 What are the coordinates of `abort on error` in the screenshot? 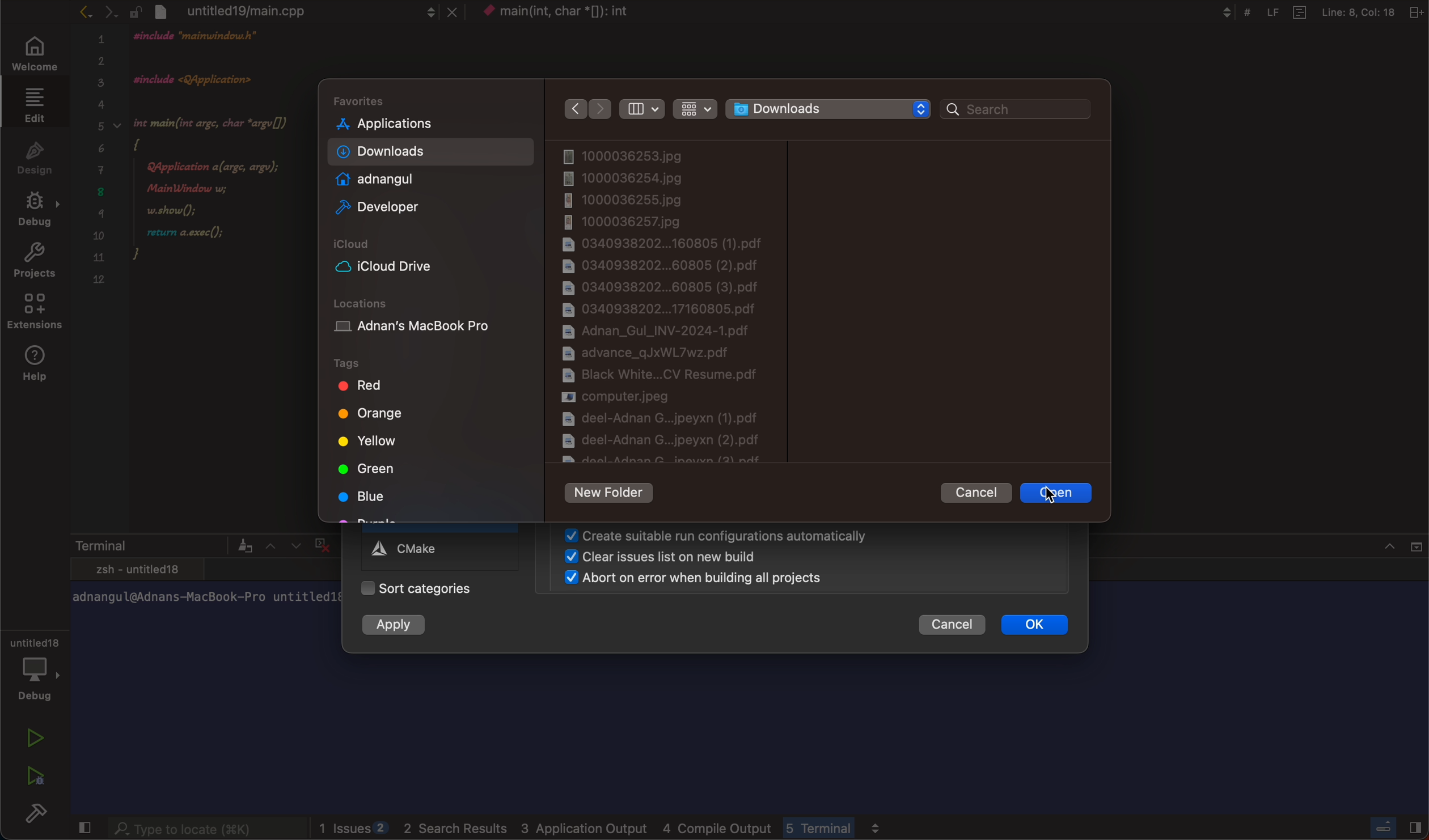 It's located at (687, 579).